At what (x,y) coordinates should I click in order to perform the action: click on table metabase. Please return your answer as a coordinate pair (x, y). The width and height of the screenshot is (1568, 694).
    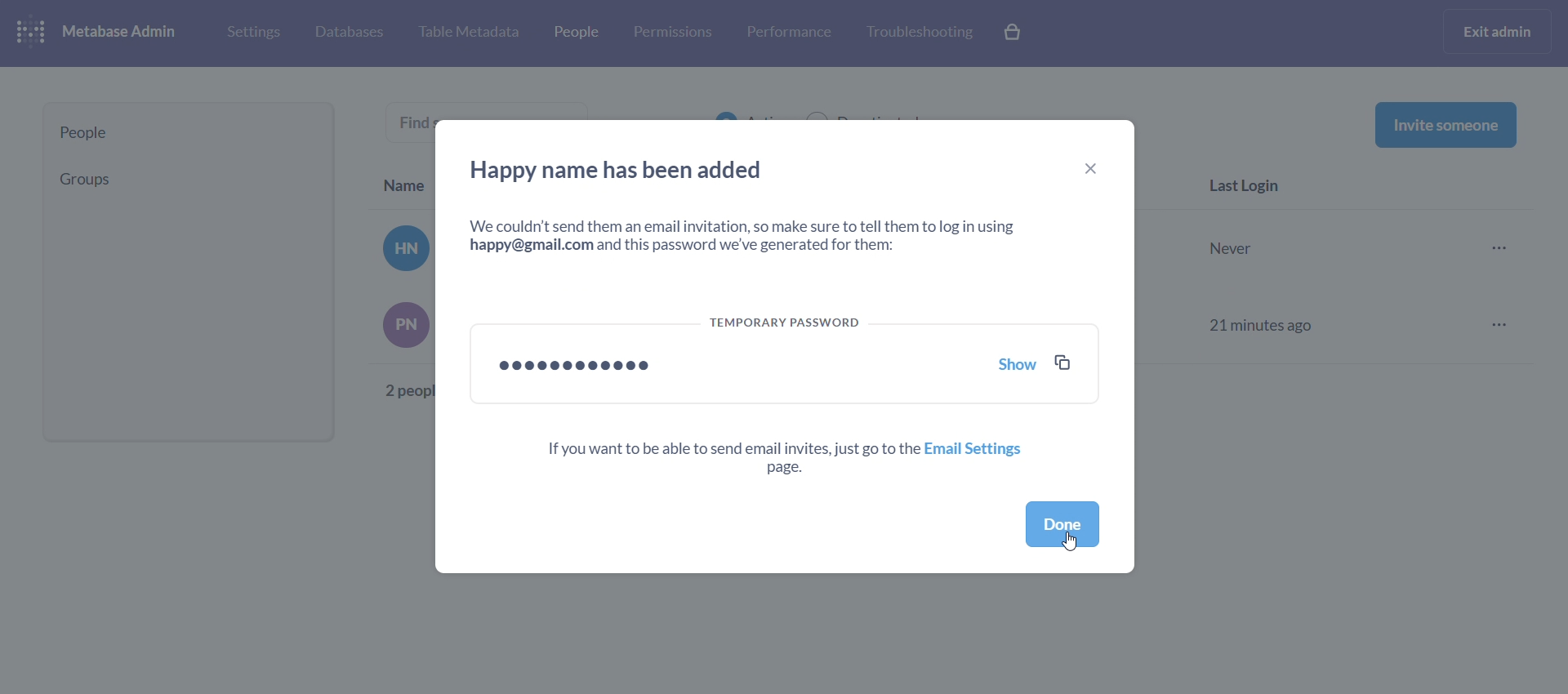
    Looking at the image, I should click on (468, 33).